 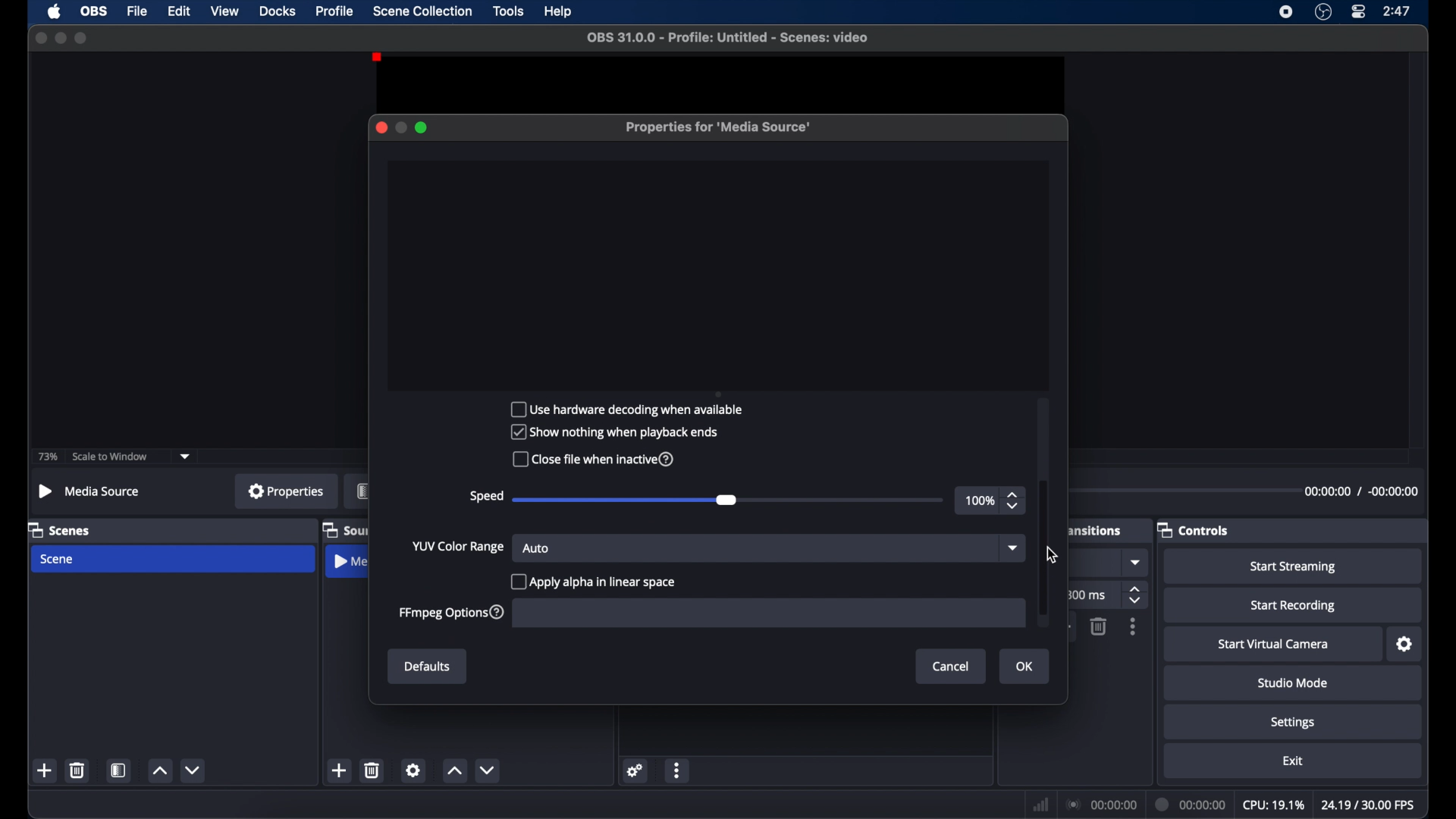 I want to click on time, so click(x=1398, y=11).